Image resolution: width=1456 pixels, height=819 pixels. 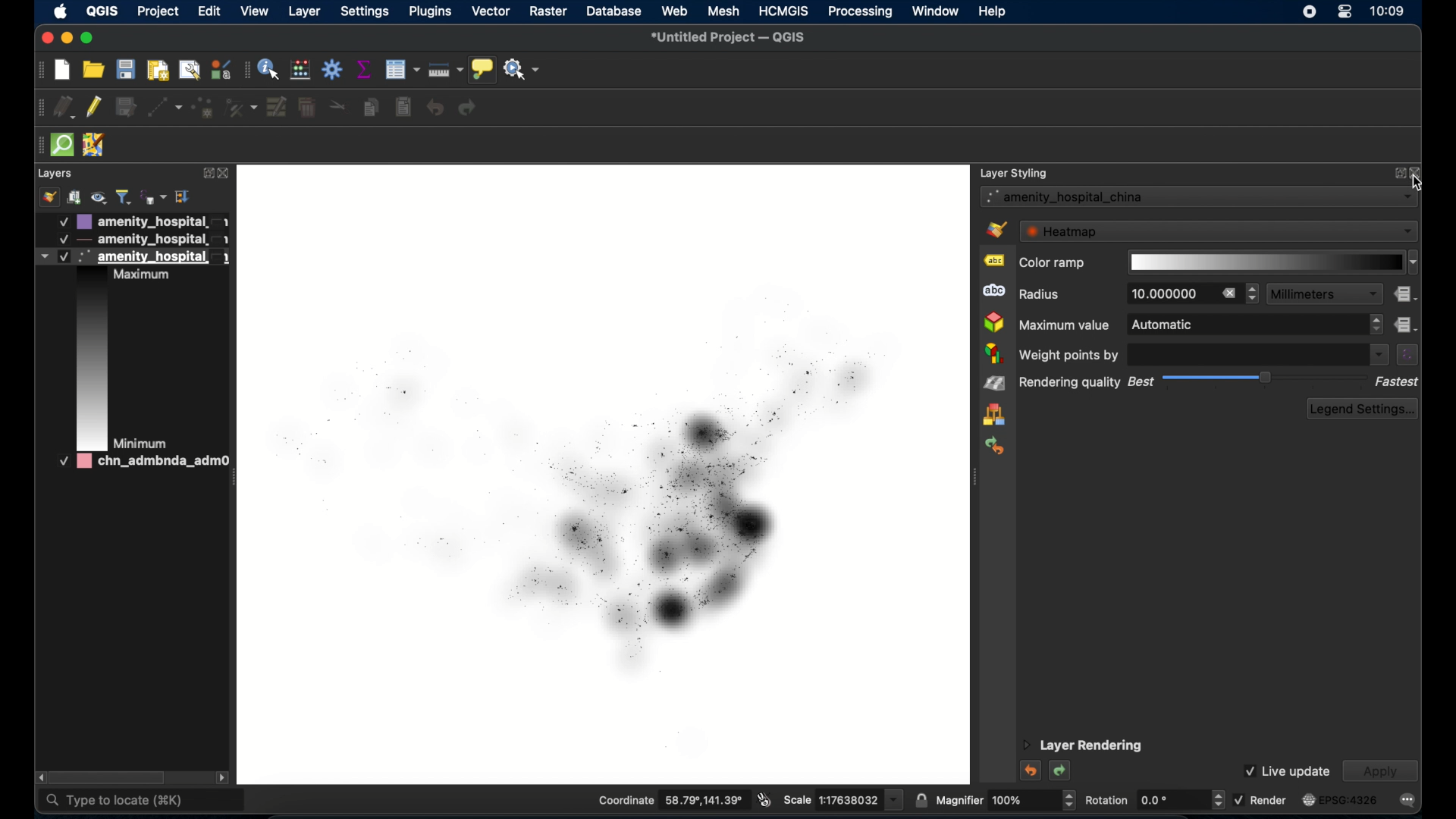 I want to click on close, so click(x=45, y=39).